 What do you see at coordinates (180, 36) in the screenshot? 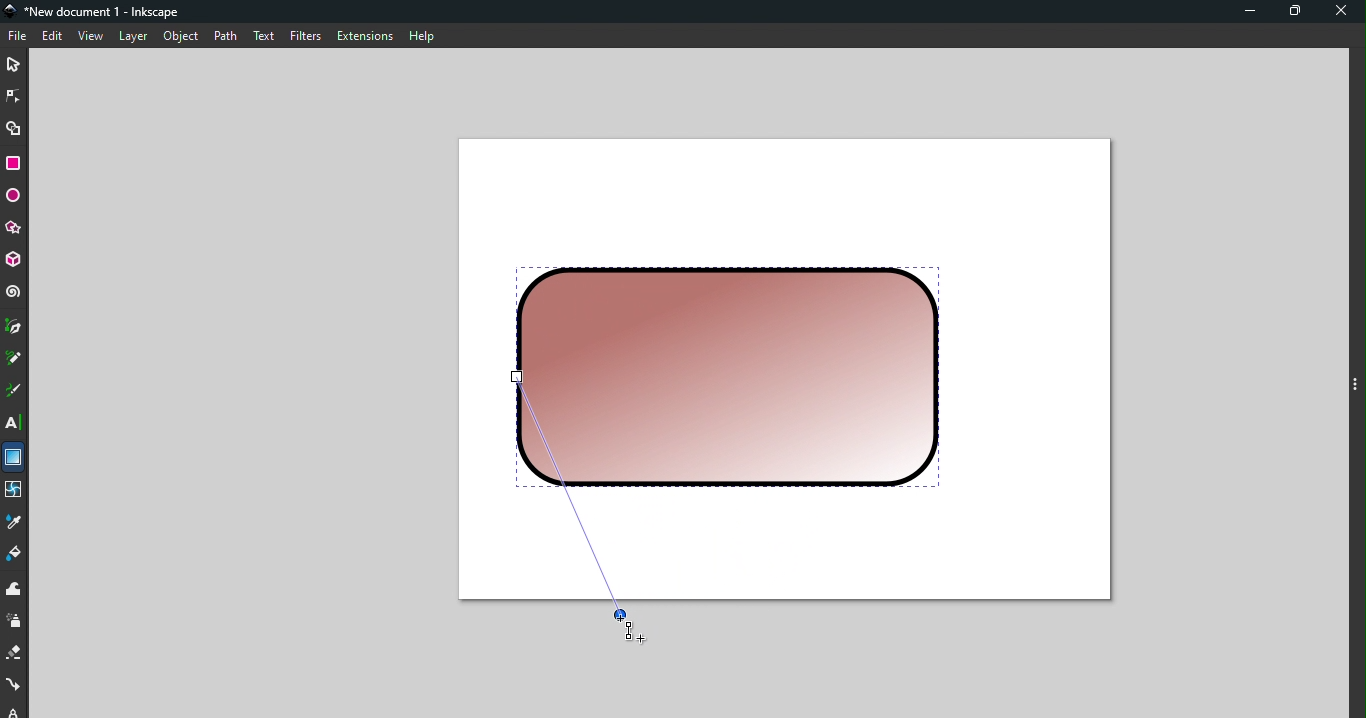
I see `Object` at bounding box center [180, 36].